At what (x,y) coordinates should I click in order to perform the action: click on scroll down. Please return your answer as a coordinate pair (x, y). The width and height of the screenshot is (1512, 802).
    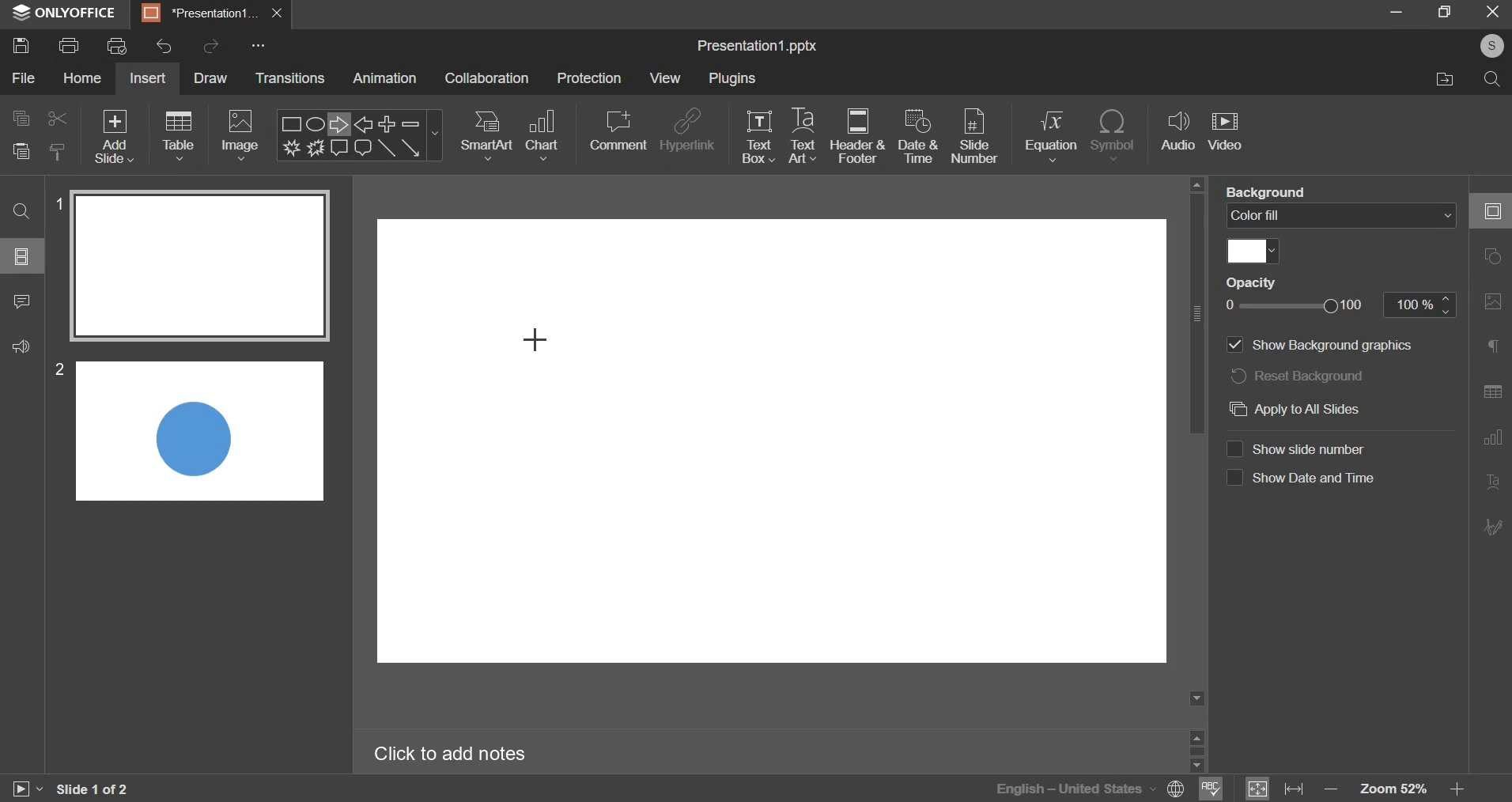
    Looking at the image, I should click on (1199, 767).